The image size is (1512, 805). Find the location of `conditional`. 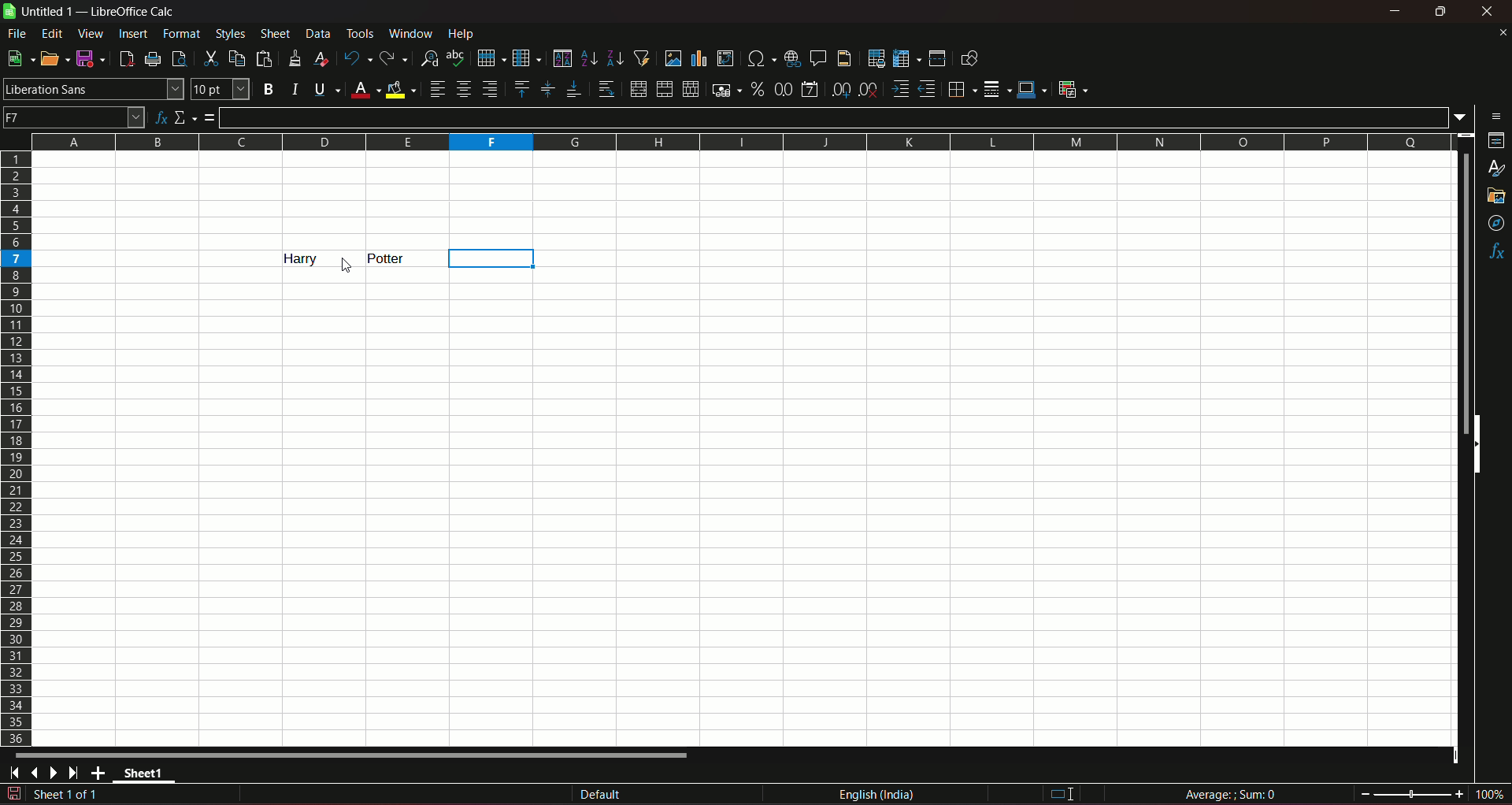

conditional is located at coordinates (1072, 88).